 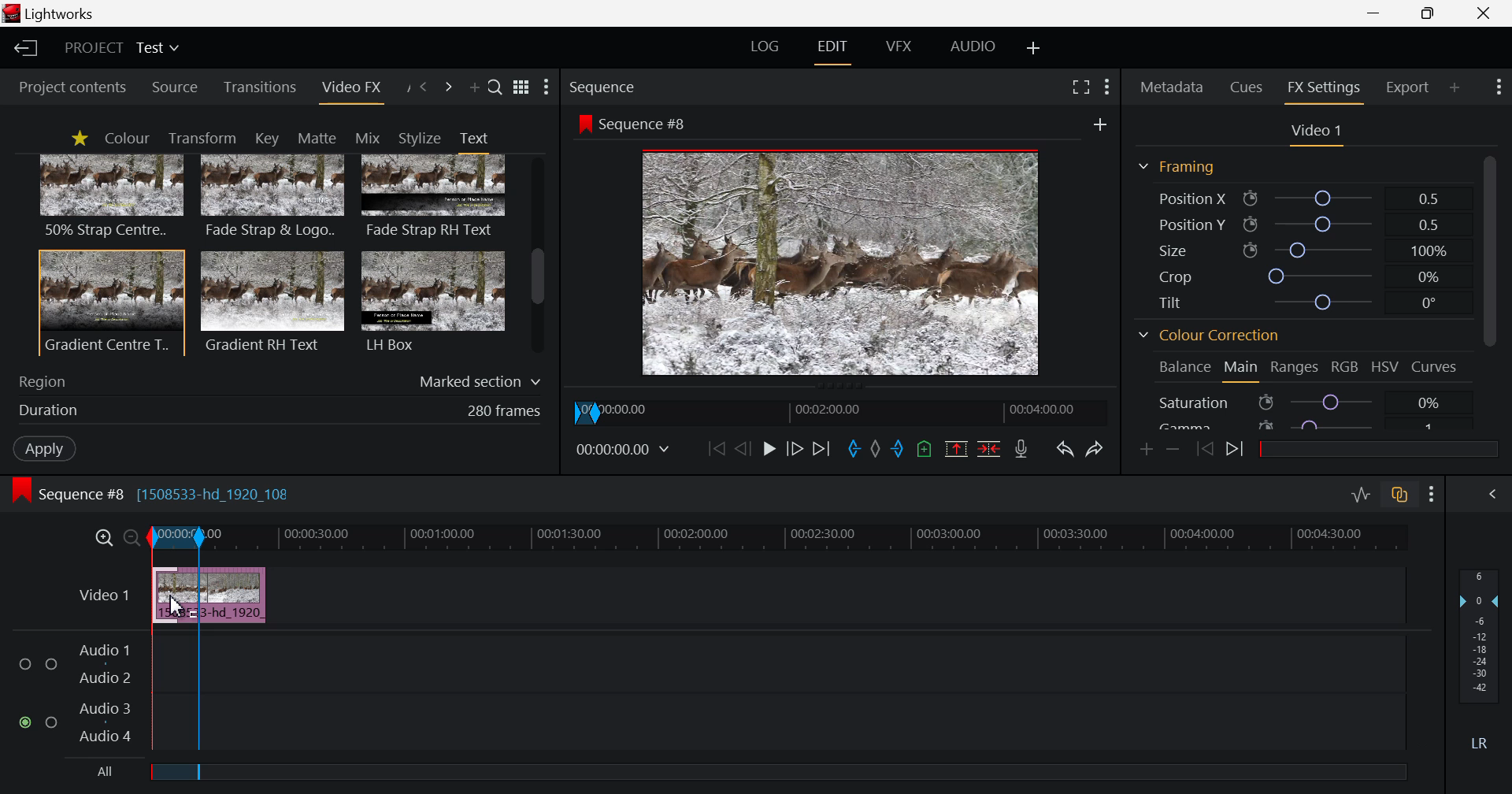 What do you see at coordinates (1097, 447) in the screenshot?
I see `Redo` at bounding box center [1097, 447].